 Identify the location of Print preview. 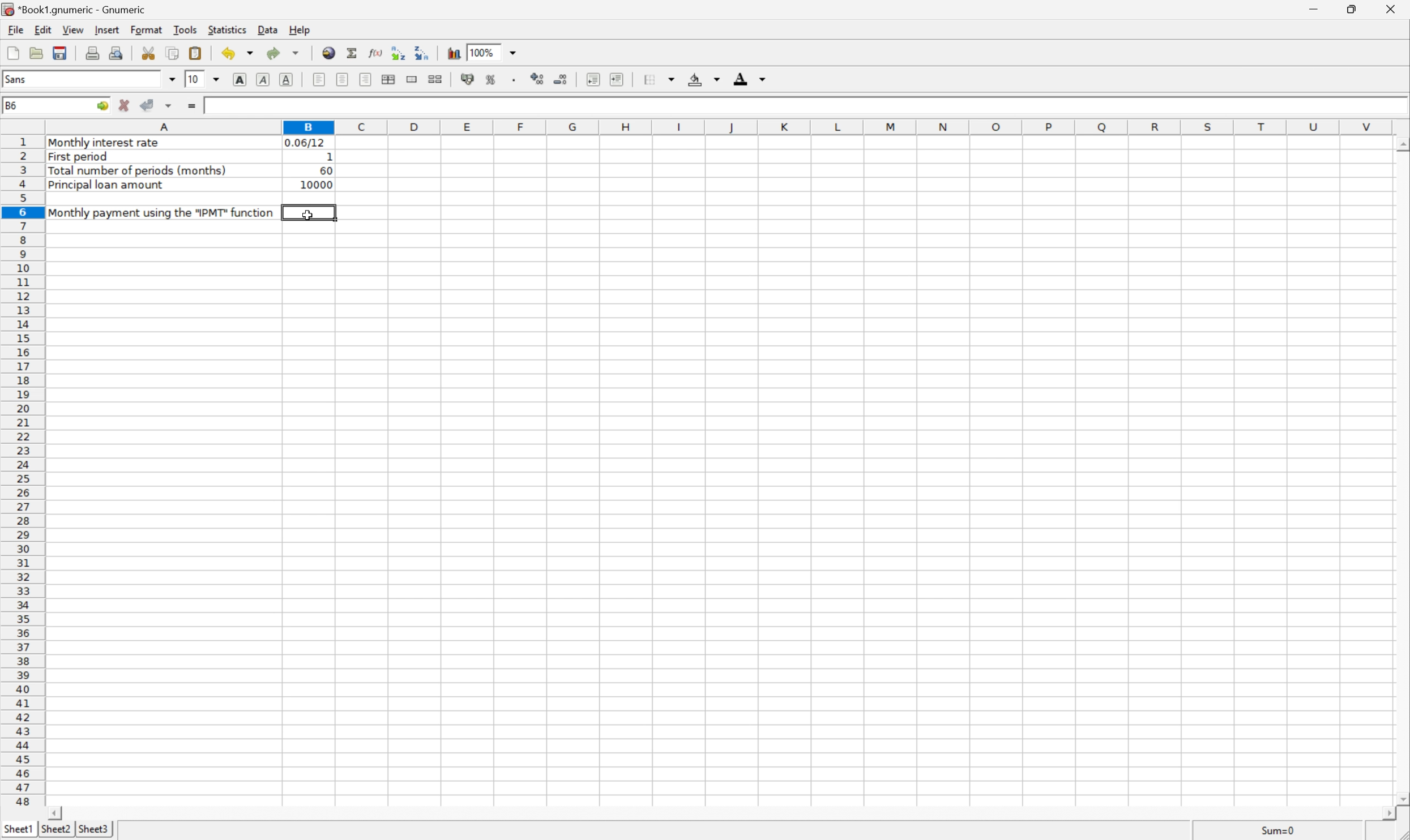
(117, 52).